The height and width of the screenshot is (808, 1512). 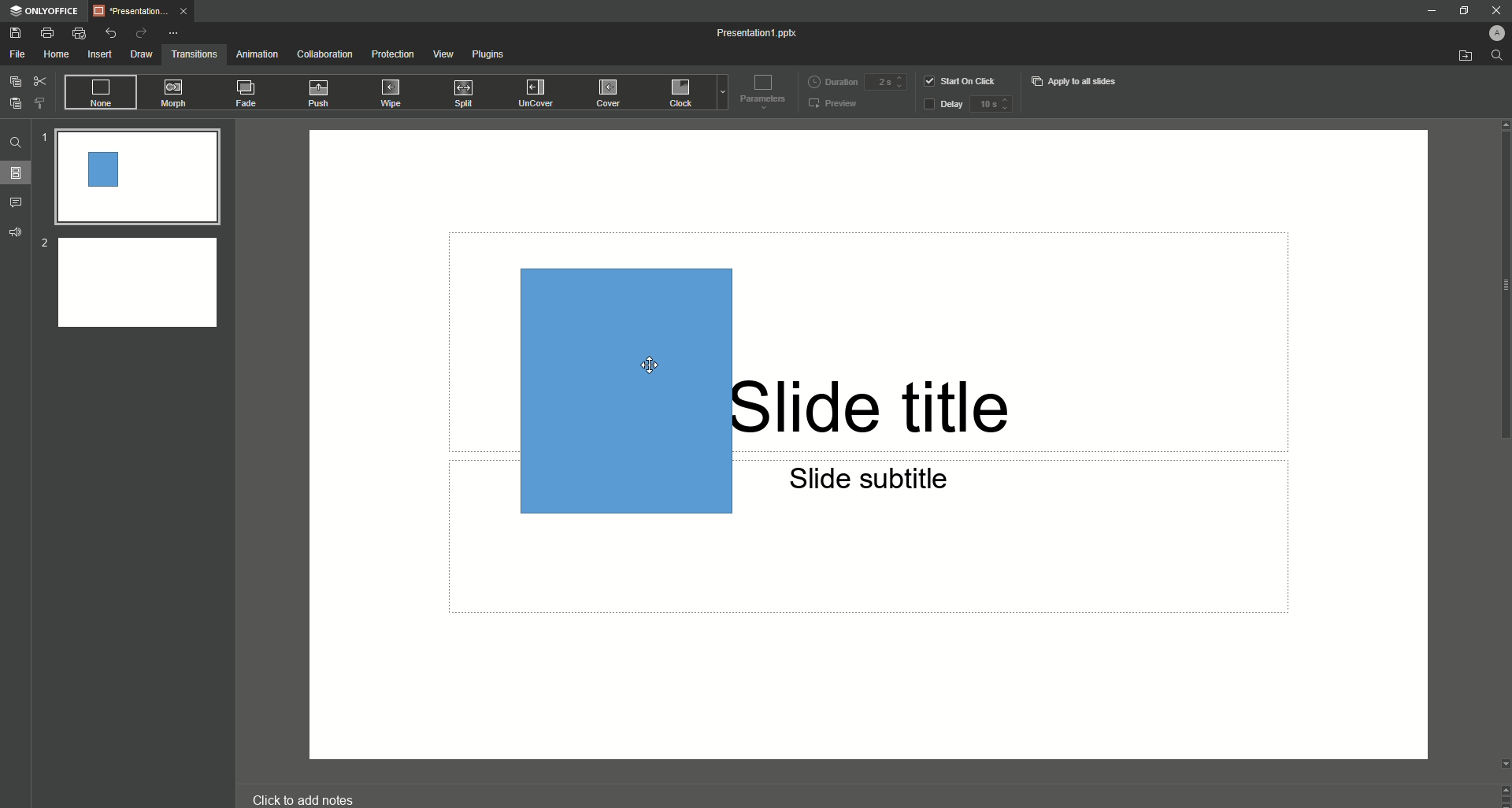 What do you see at coordinates (534, 95) in the screenshot?
I see `UnCover` at bounding box center [534, 95].